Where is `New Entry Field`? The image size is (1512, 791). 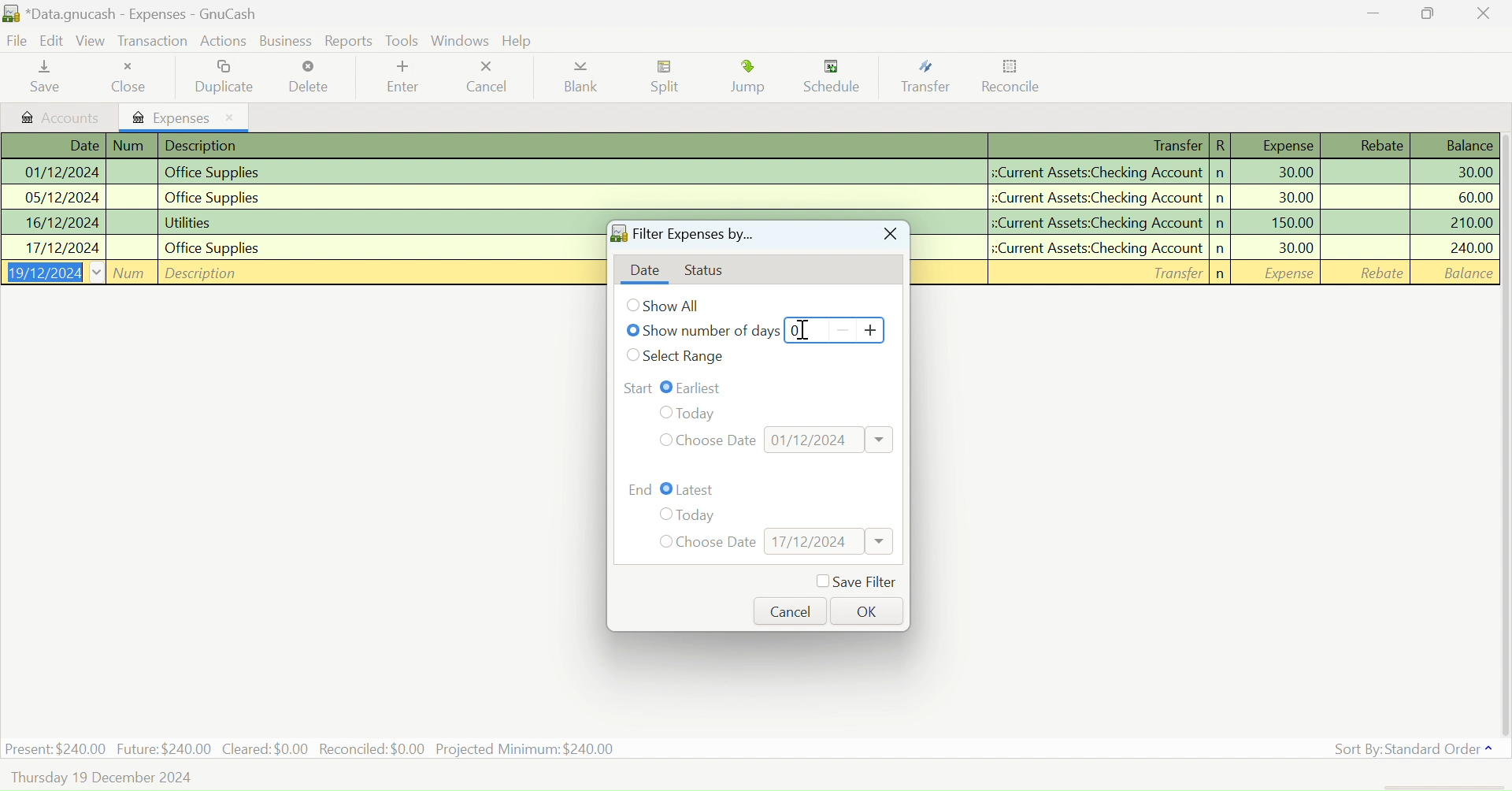 New Entry Field is located at coordinates (301, 271).